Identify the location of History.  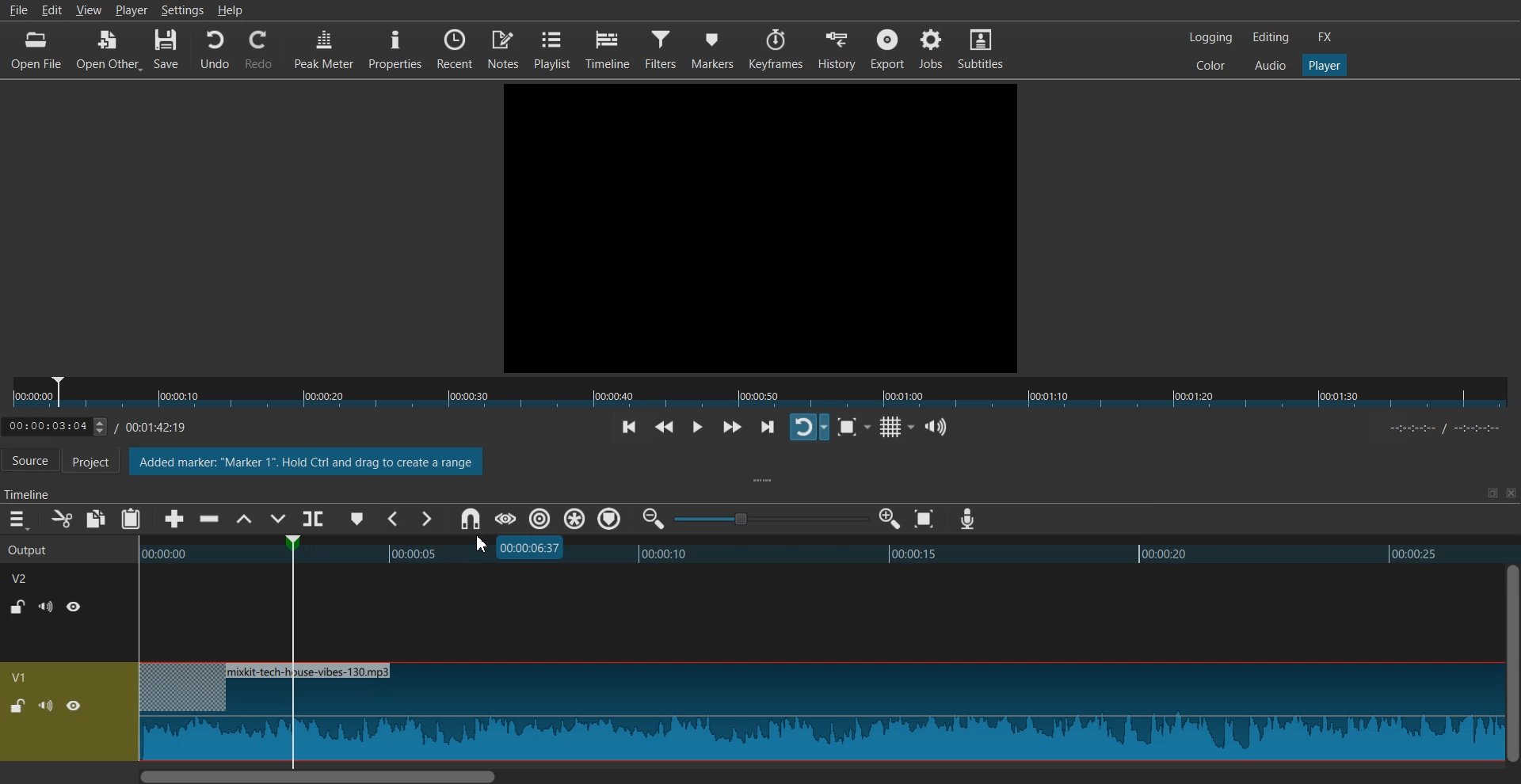
(838, 49).